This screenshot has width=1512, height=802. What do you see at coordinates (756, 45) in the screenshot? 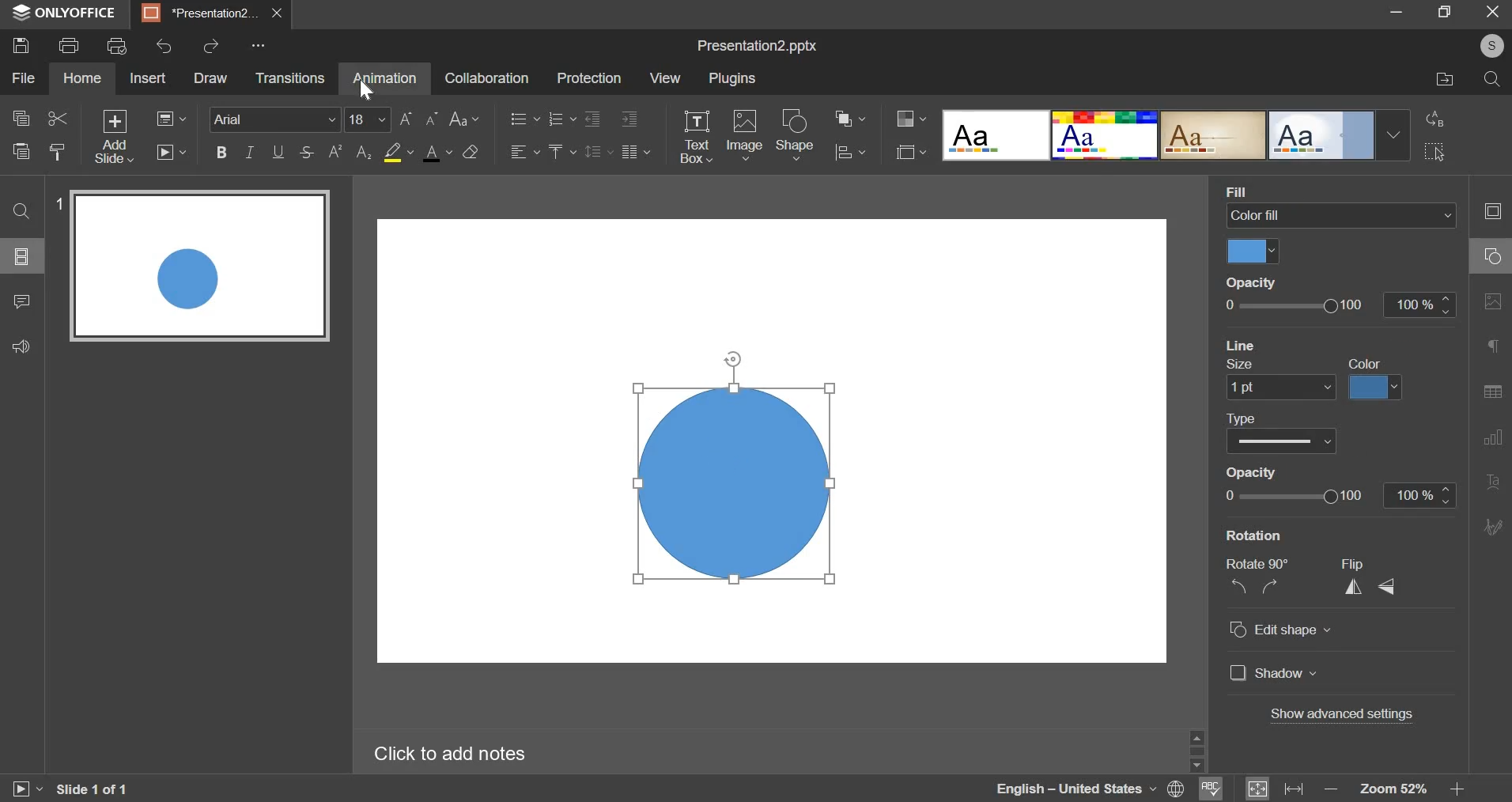
I see `presentation name` at bounding box center [756, 45].